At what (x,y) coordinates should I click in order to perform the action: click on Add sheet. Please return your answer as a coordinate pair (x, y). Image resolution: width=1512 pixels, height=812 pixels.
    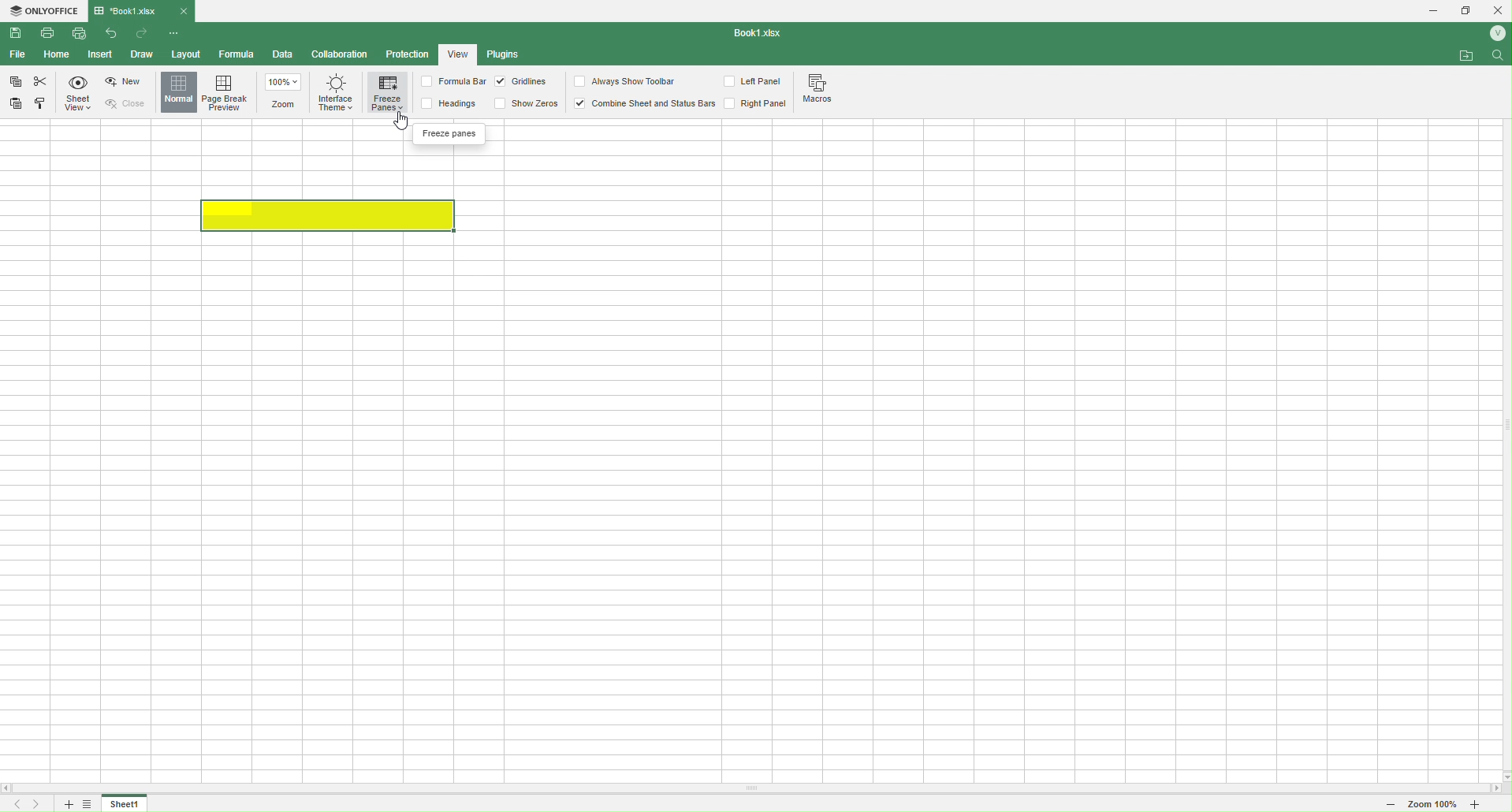
    Looking at the image, I should click on (66, 804).